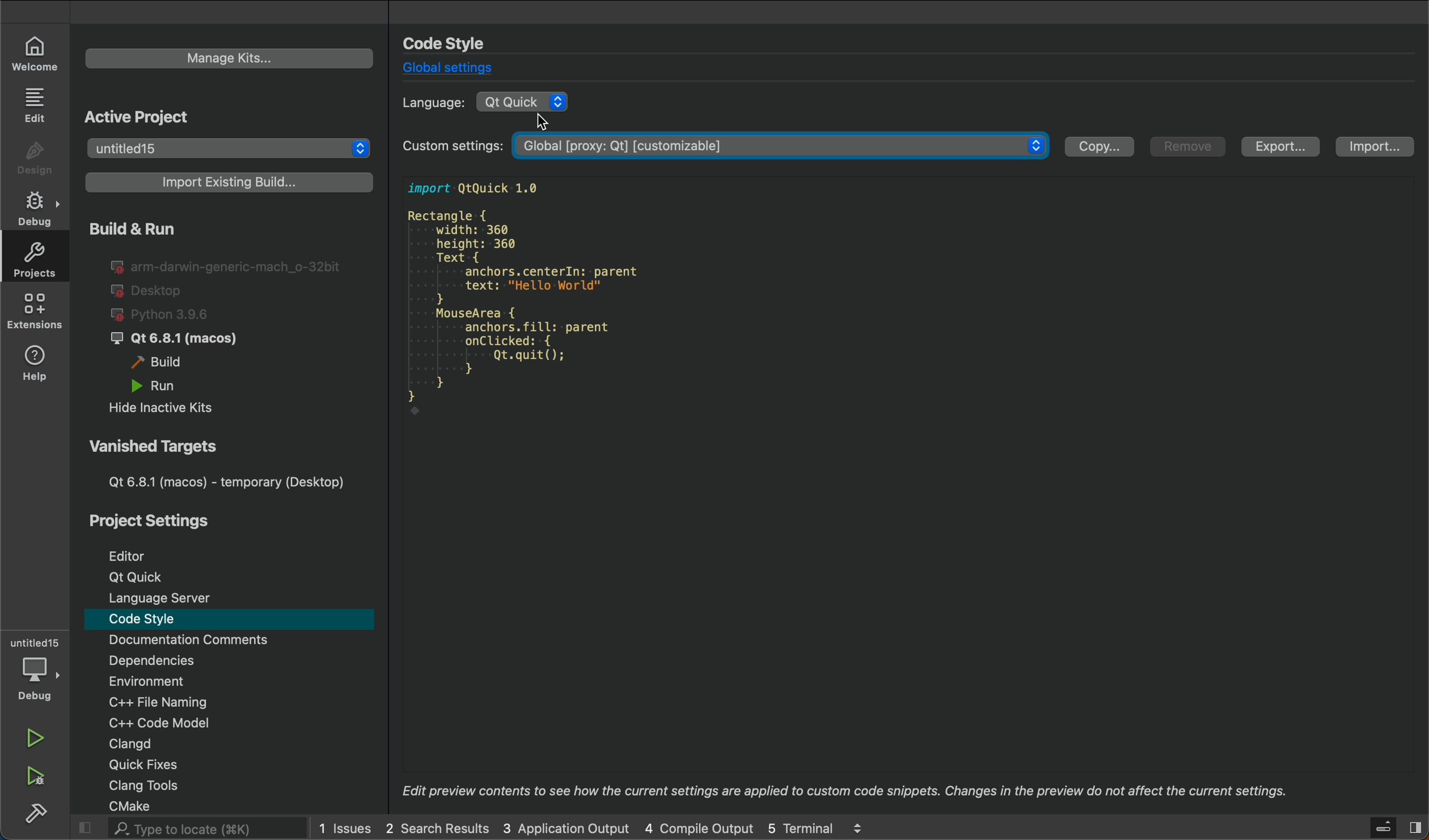  What do you see at coordinates (133, 577) in the screenshot?
I see `qt quick` at bounding box center [133, 577].